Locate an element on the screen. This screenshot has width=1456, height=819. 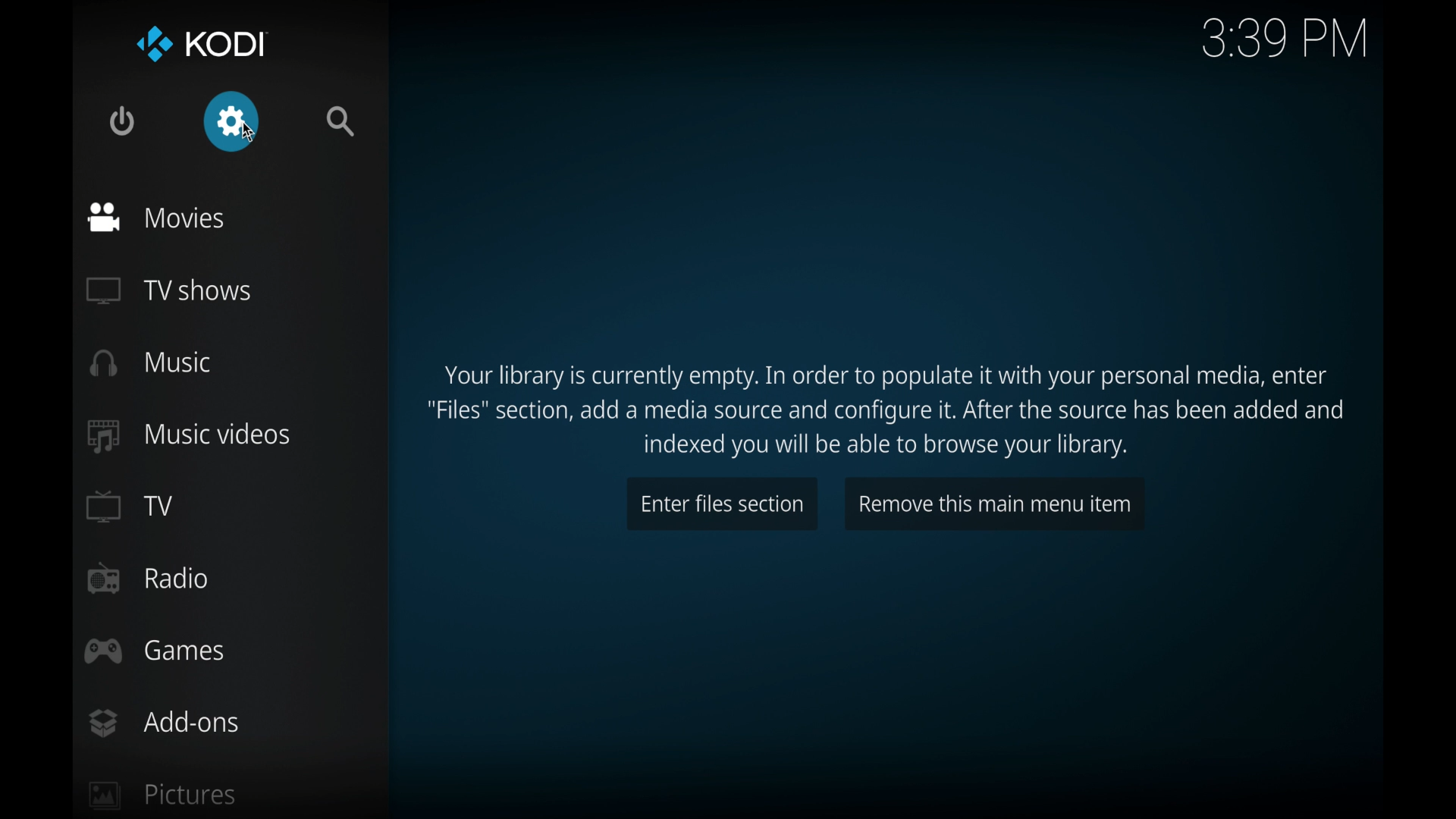
tv shows is located at coordinates (167, 290).